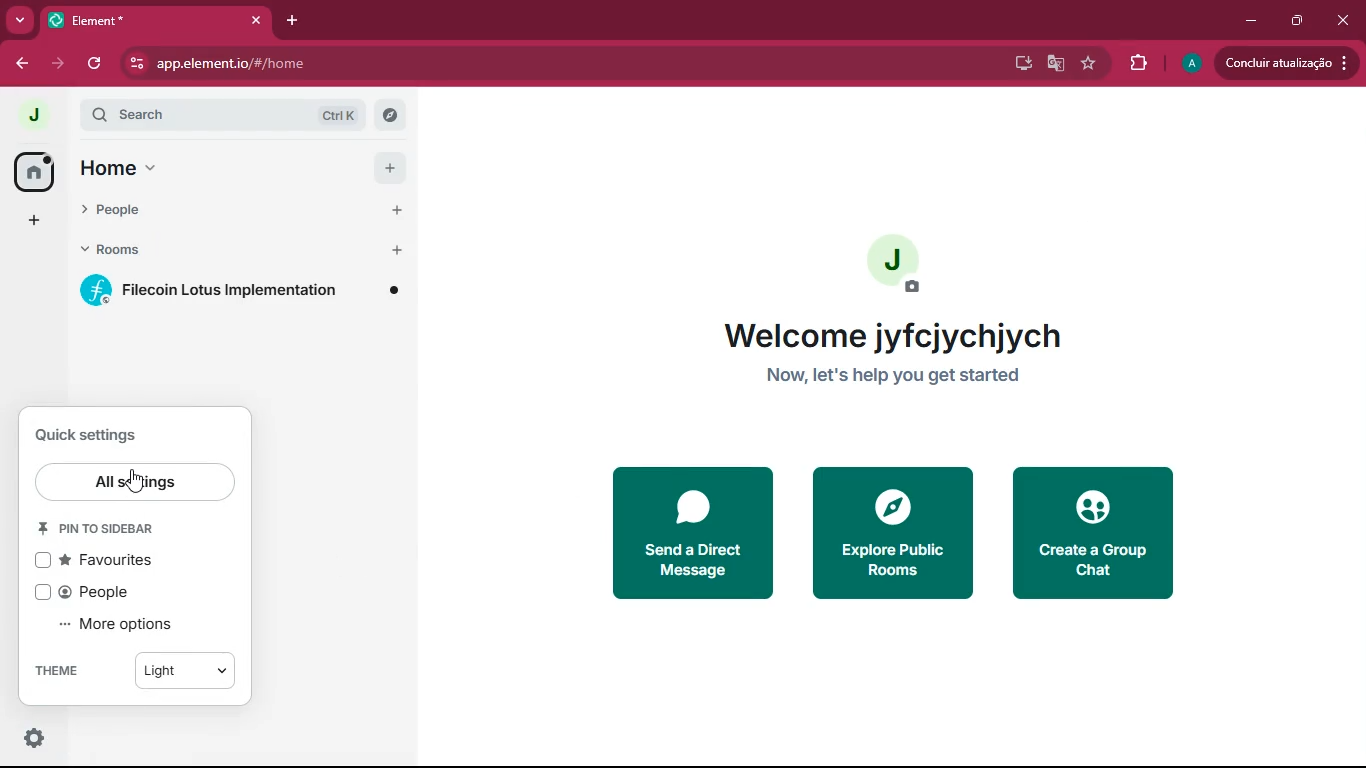  Describe the element at coordinates (1138, 63) in the screenshot. I see `extensions` at that location.